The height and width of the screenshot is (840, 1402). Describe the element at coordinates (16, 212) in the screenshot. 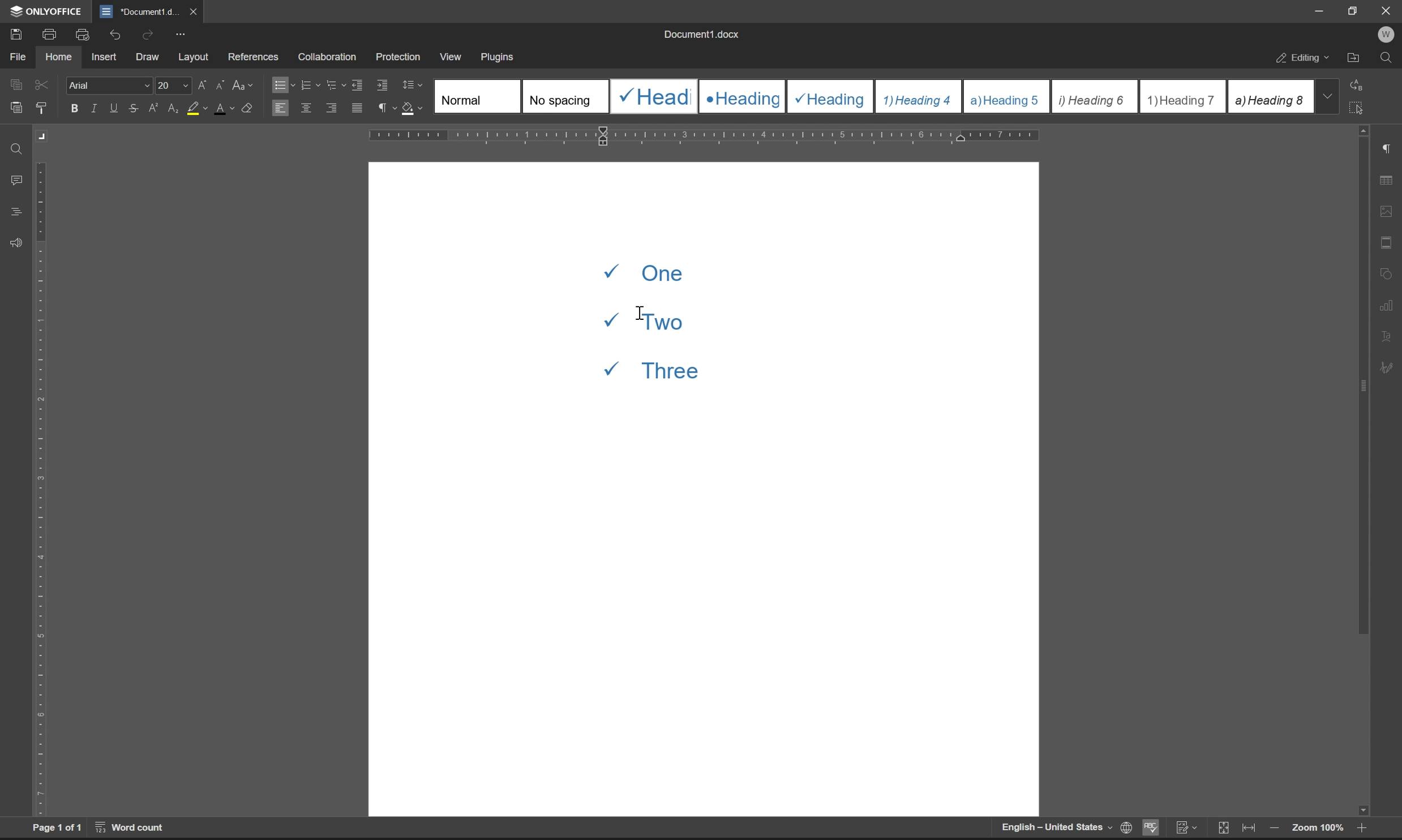

I see `headings` at that location.